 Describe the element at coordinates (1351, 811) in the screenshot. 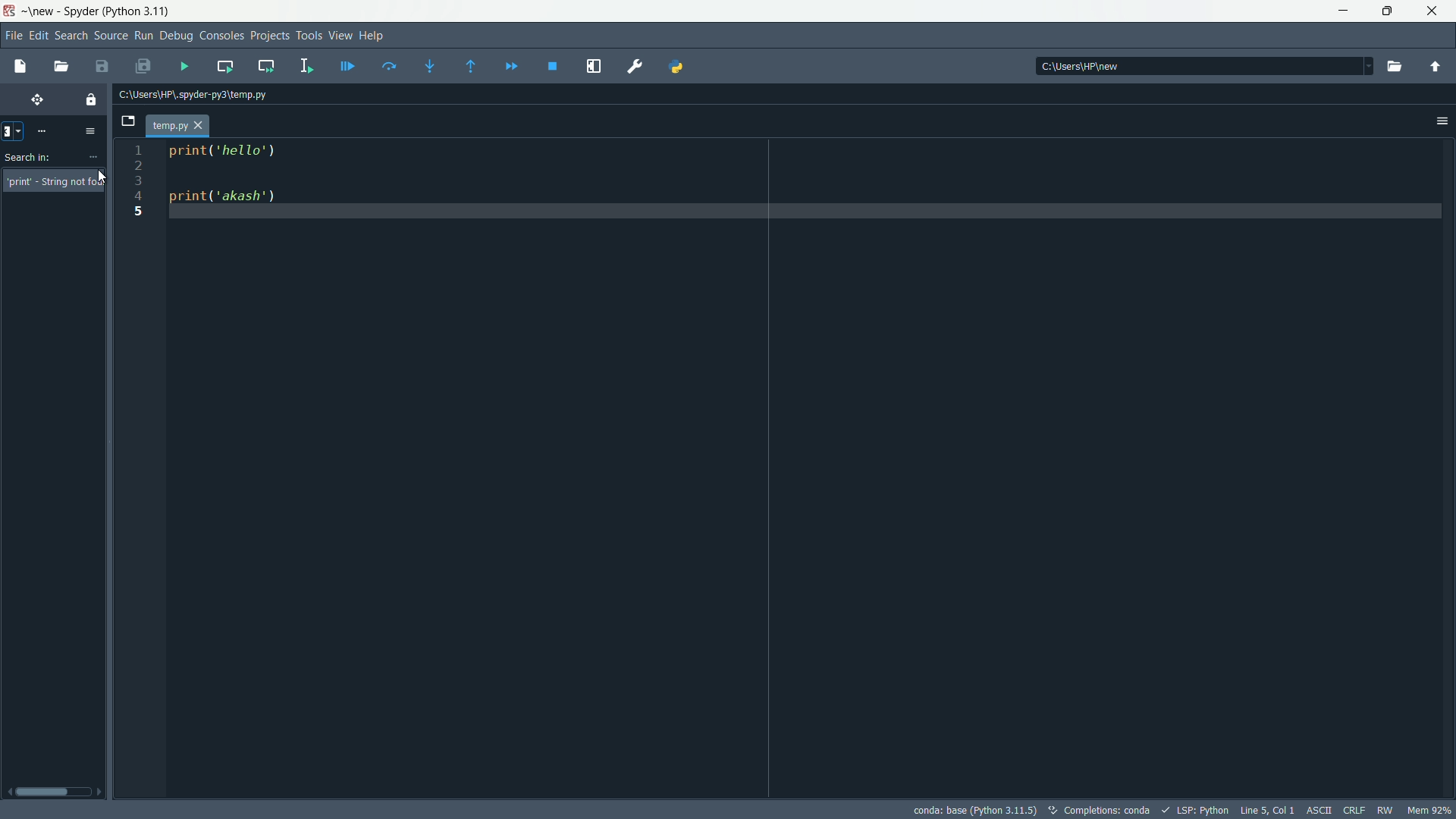

I see `CRLF` at that location.